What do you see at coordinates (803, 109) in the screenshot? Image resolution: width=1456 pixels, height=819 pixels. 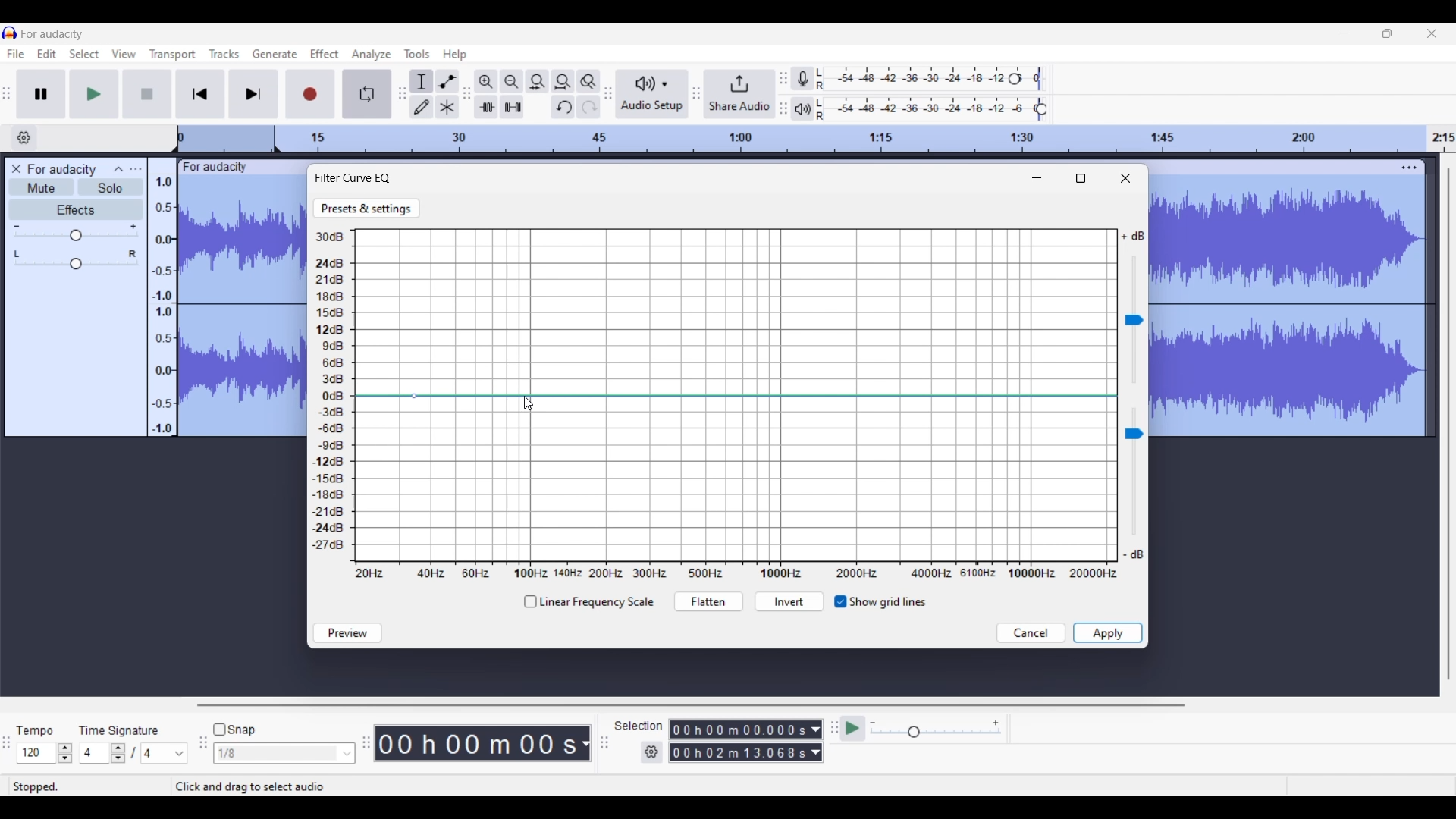 I see `Playback meter` at bounding box center [803, 109].